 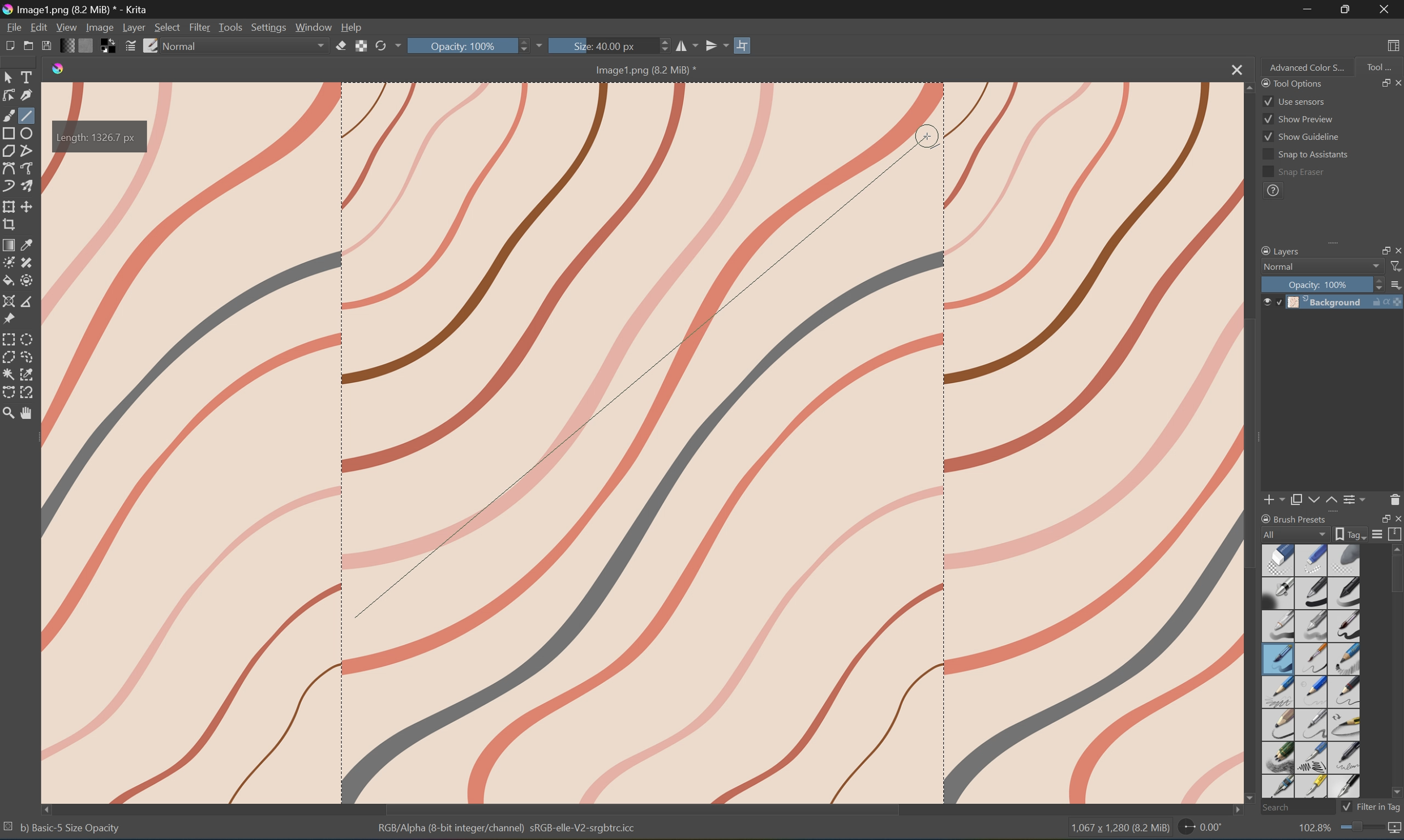 What do you see at coordinates (1273, 192) in the screenshot?
I see `?` at bounding box center [1273, 192].